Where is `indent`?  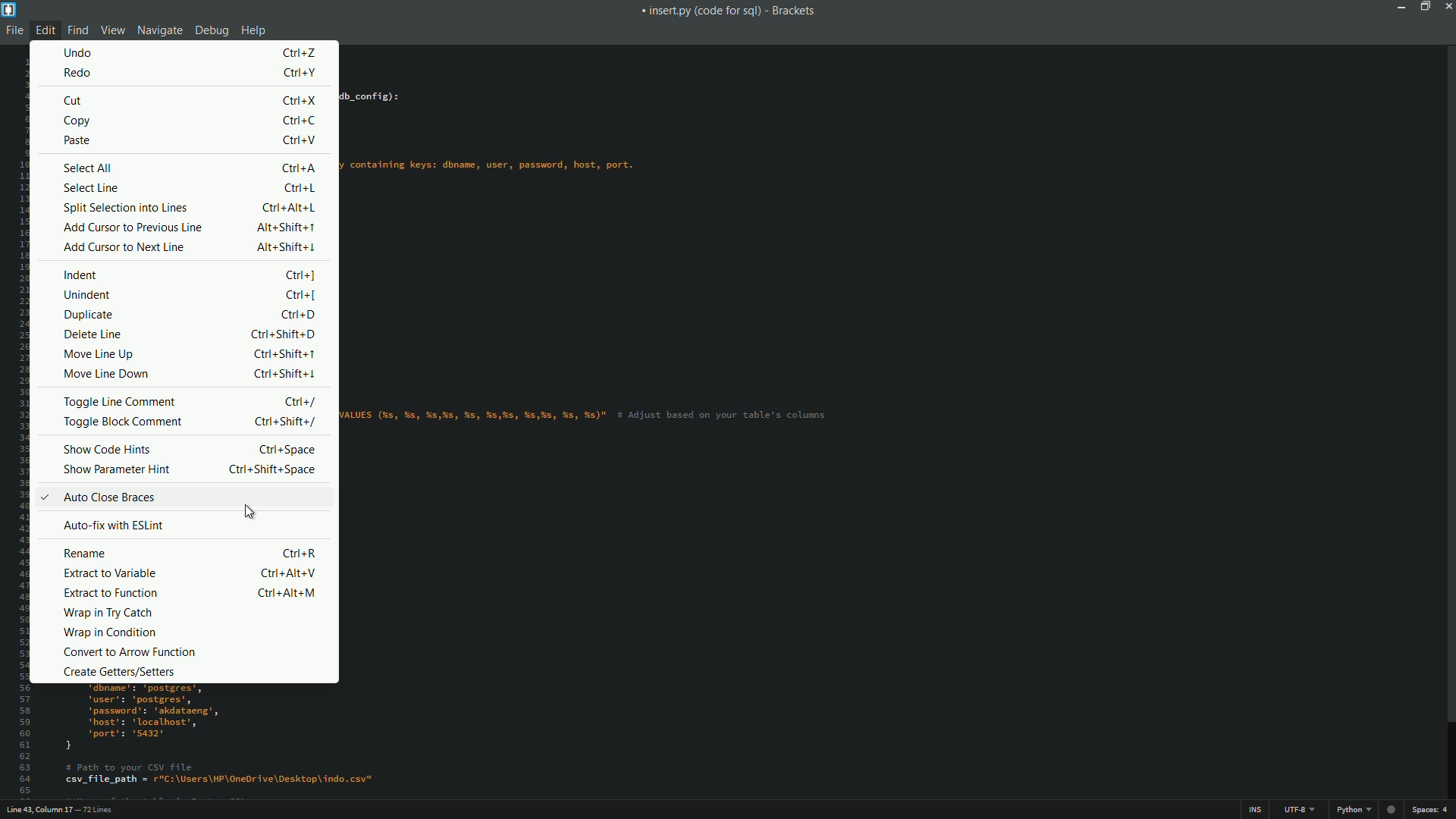 indent is located at coordinates (83, 275).